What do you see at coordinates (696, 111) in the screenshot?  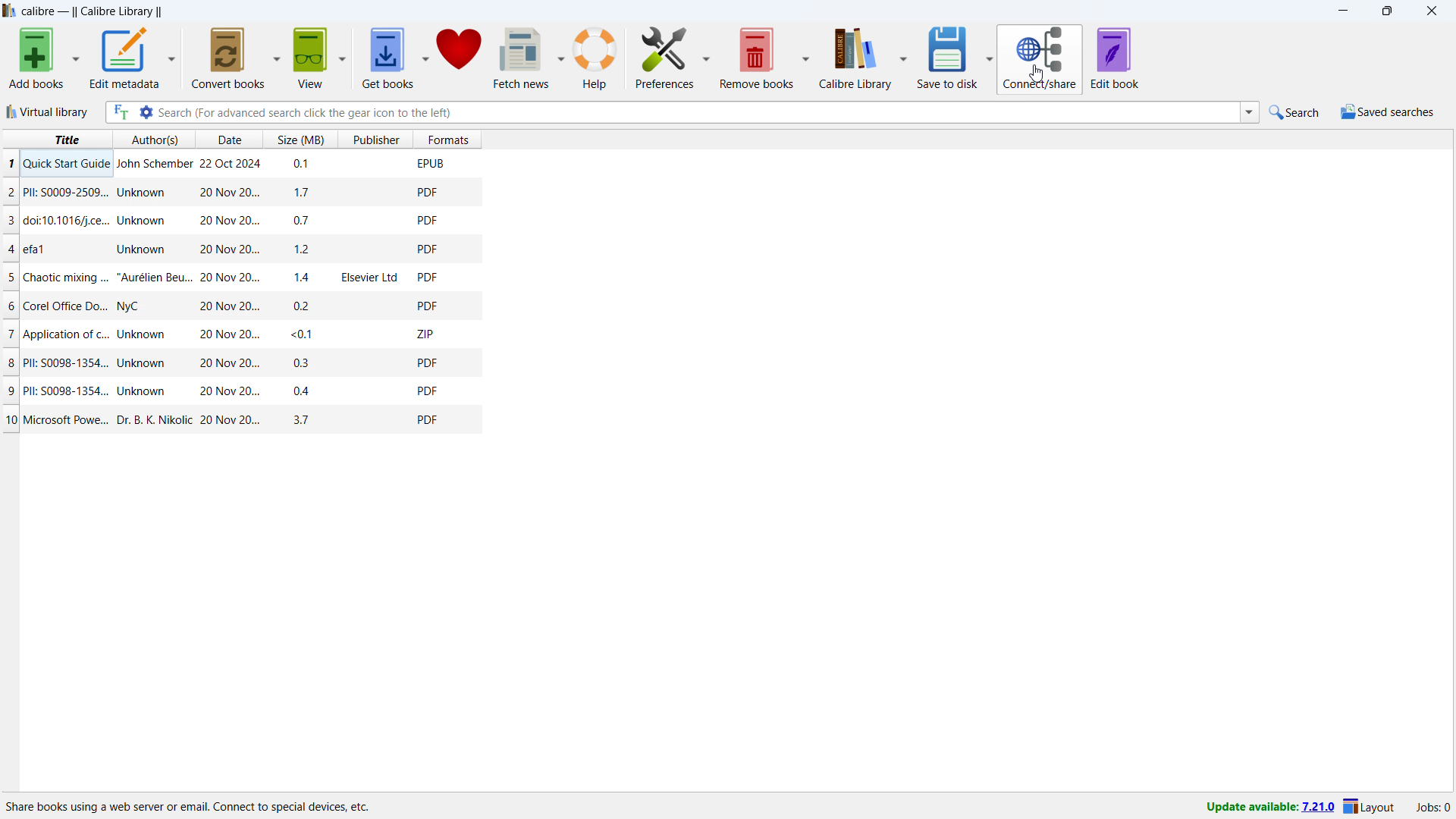 I see `enter search string` at bounding box center [696, 111].